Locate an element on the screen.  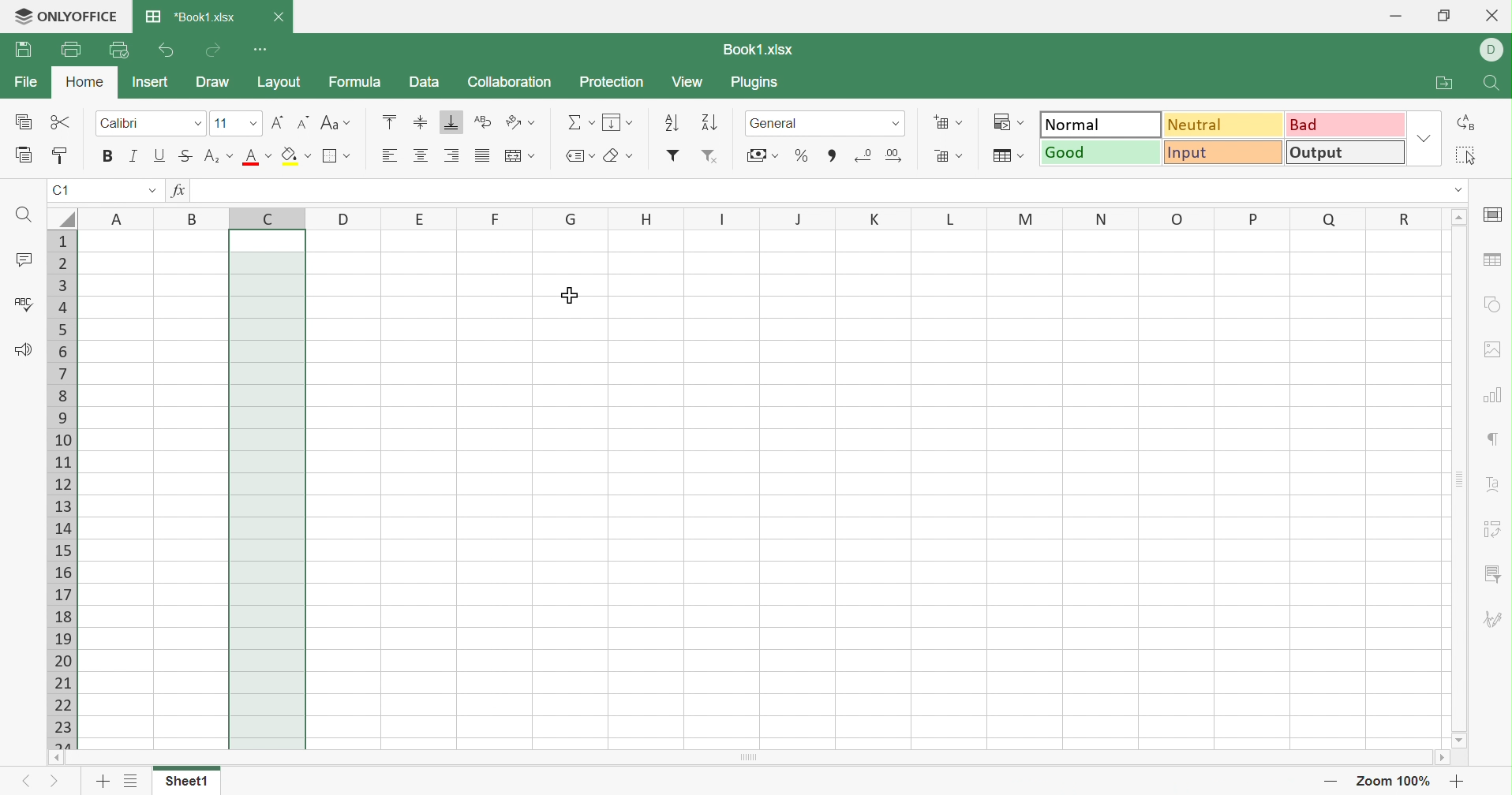
Underline is located at coordinates (159, 156).